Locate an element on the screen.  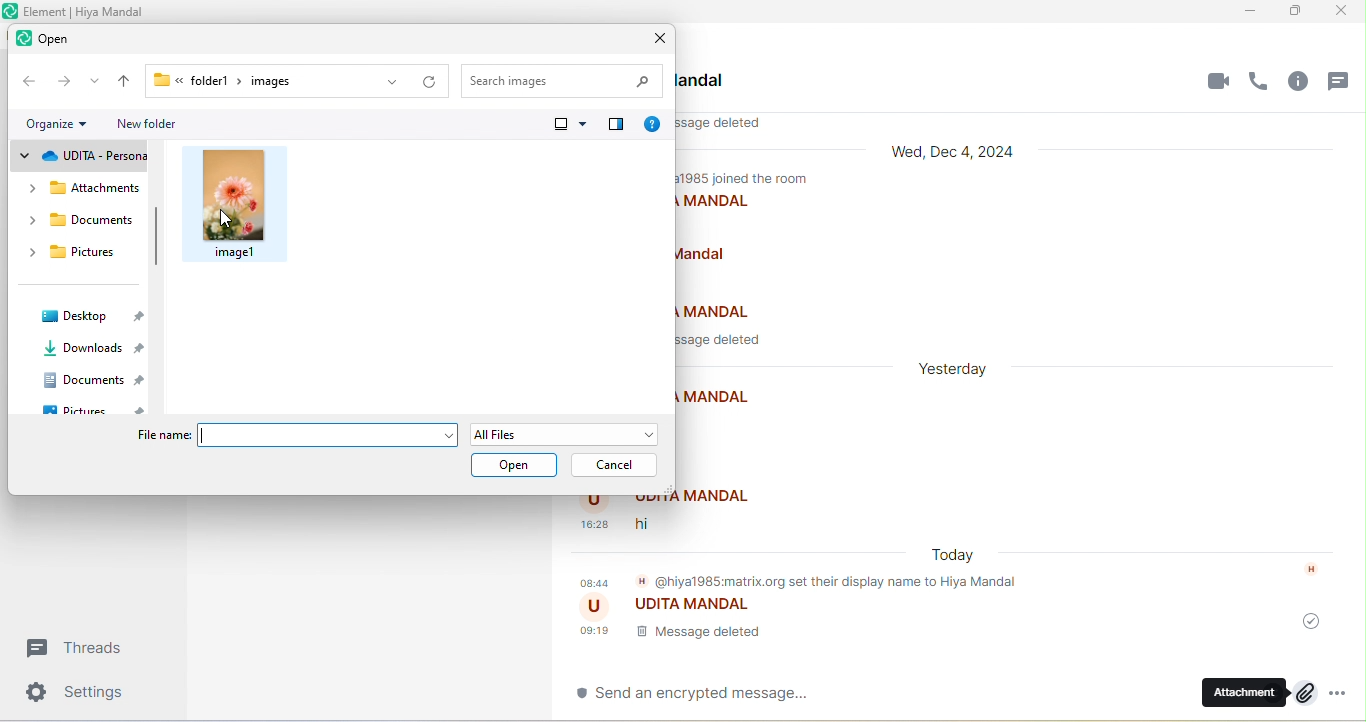
folder>images is located at coordinates (255, 81).